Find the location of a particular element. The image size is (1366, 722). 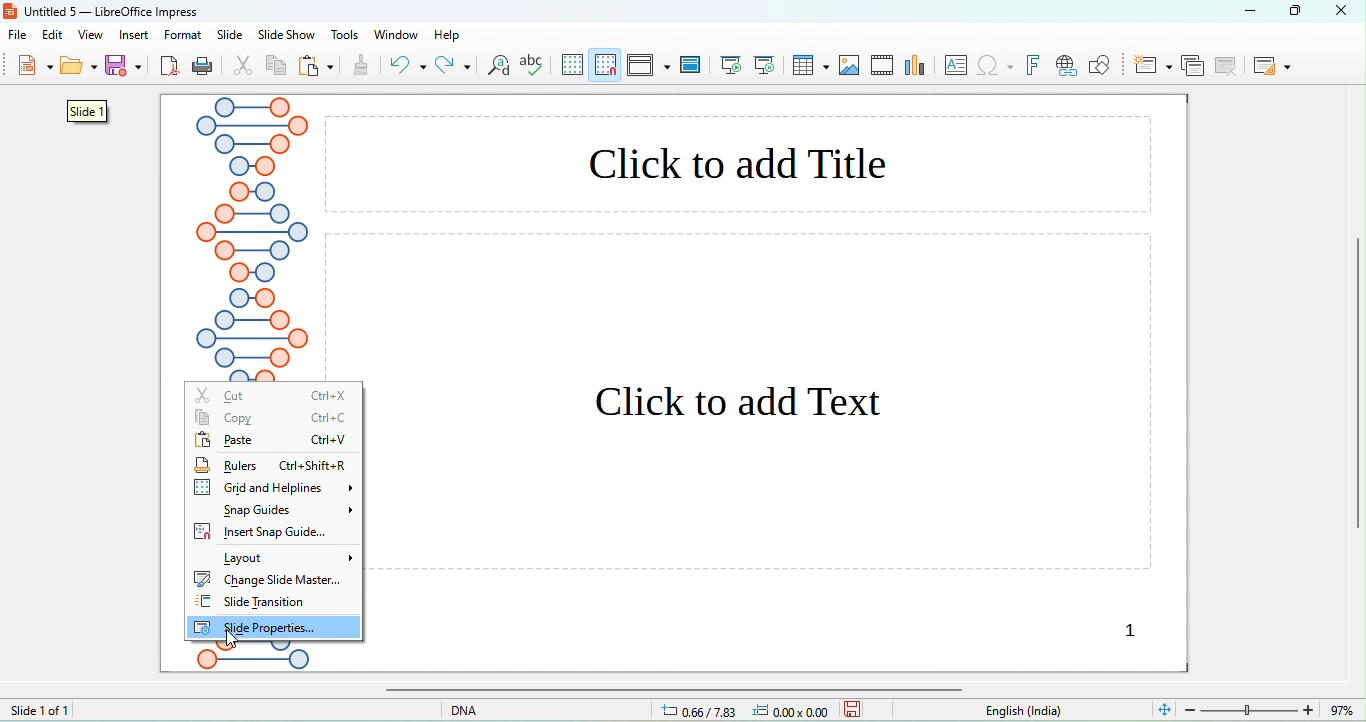

hyperlink is located at coordinates (1065, 67).